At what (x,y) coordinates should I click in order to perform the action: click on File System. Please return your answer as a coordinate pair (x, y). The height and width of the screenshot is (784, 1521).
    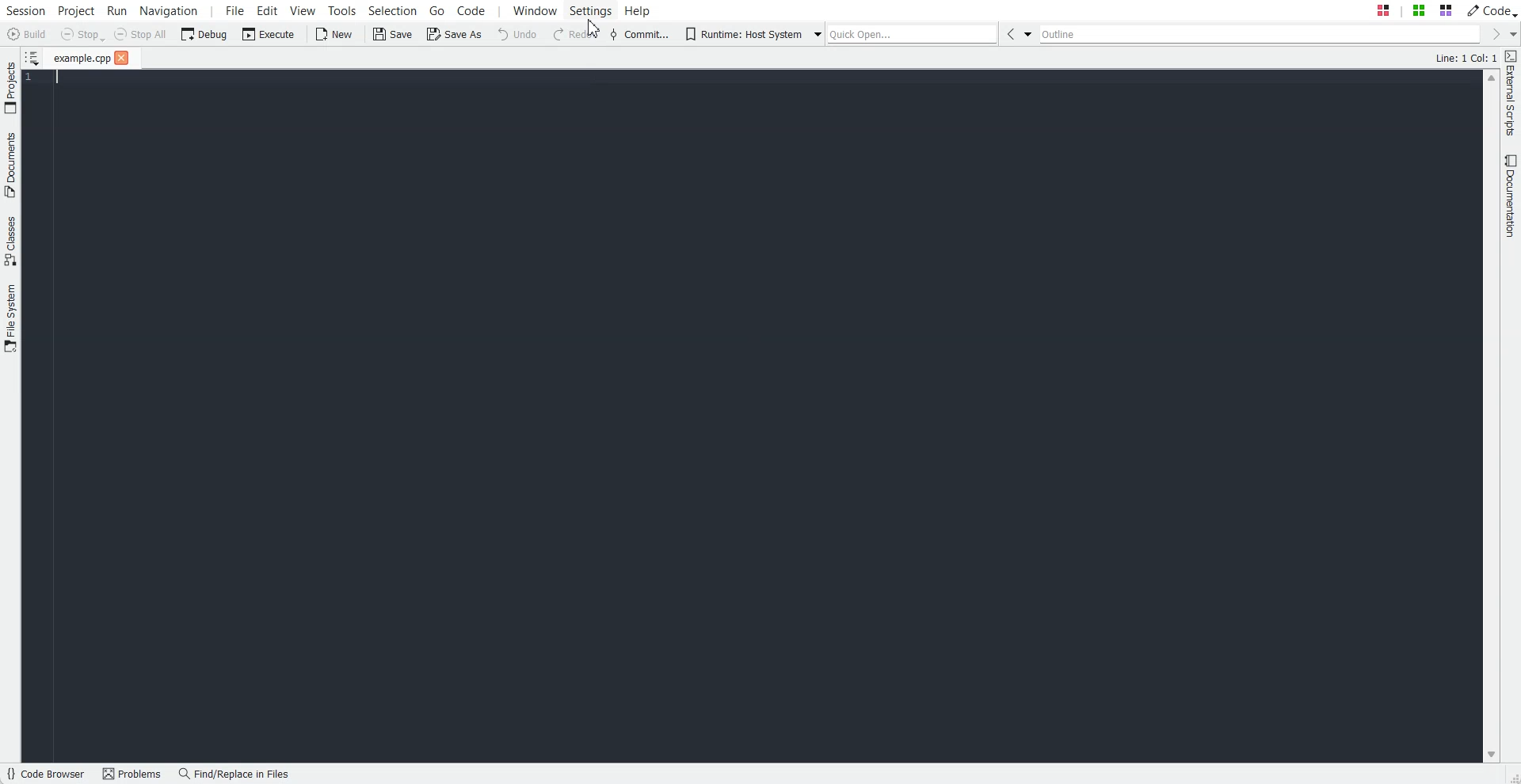
    Looking at the image, I should click on (10, 319).